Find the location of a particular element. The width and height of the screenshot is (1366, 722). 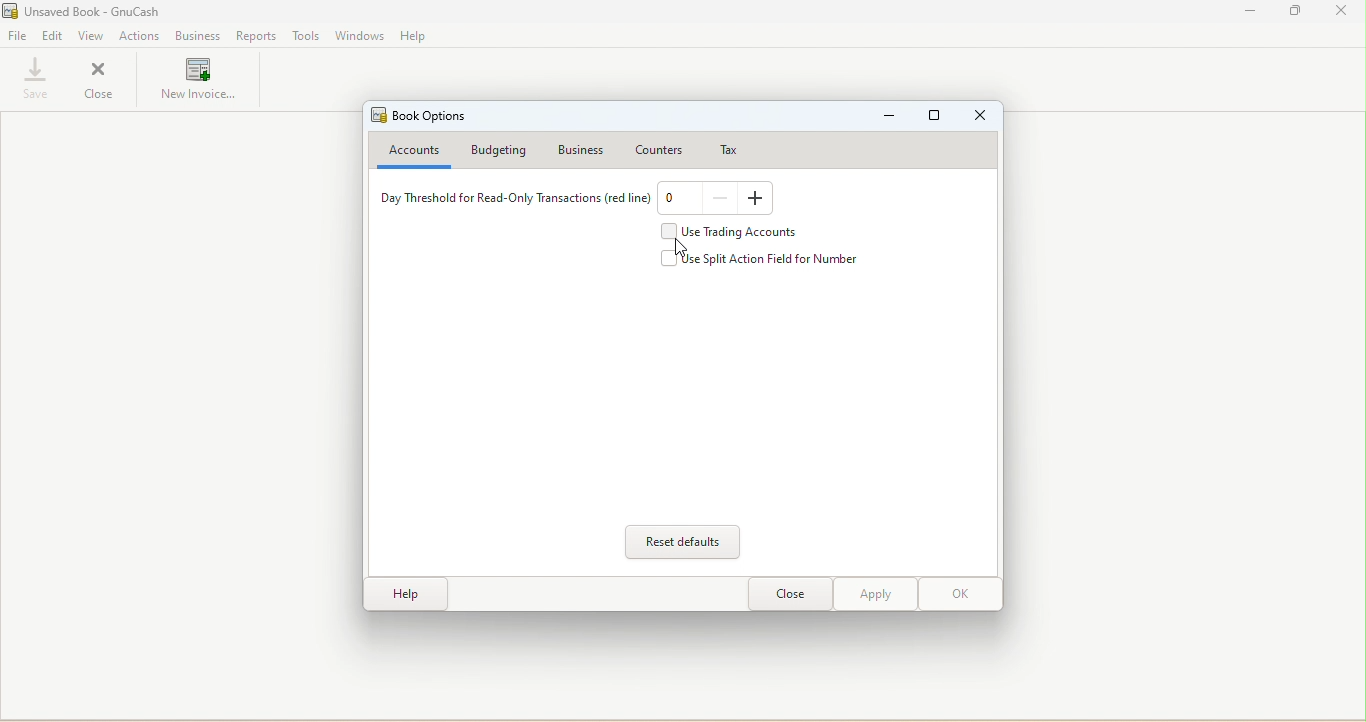

OK is located at coordinates (959, 594).